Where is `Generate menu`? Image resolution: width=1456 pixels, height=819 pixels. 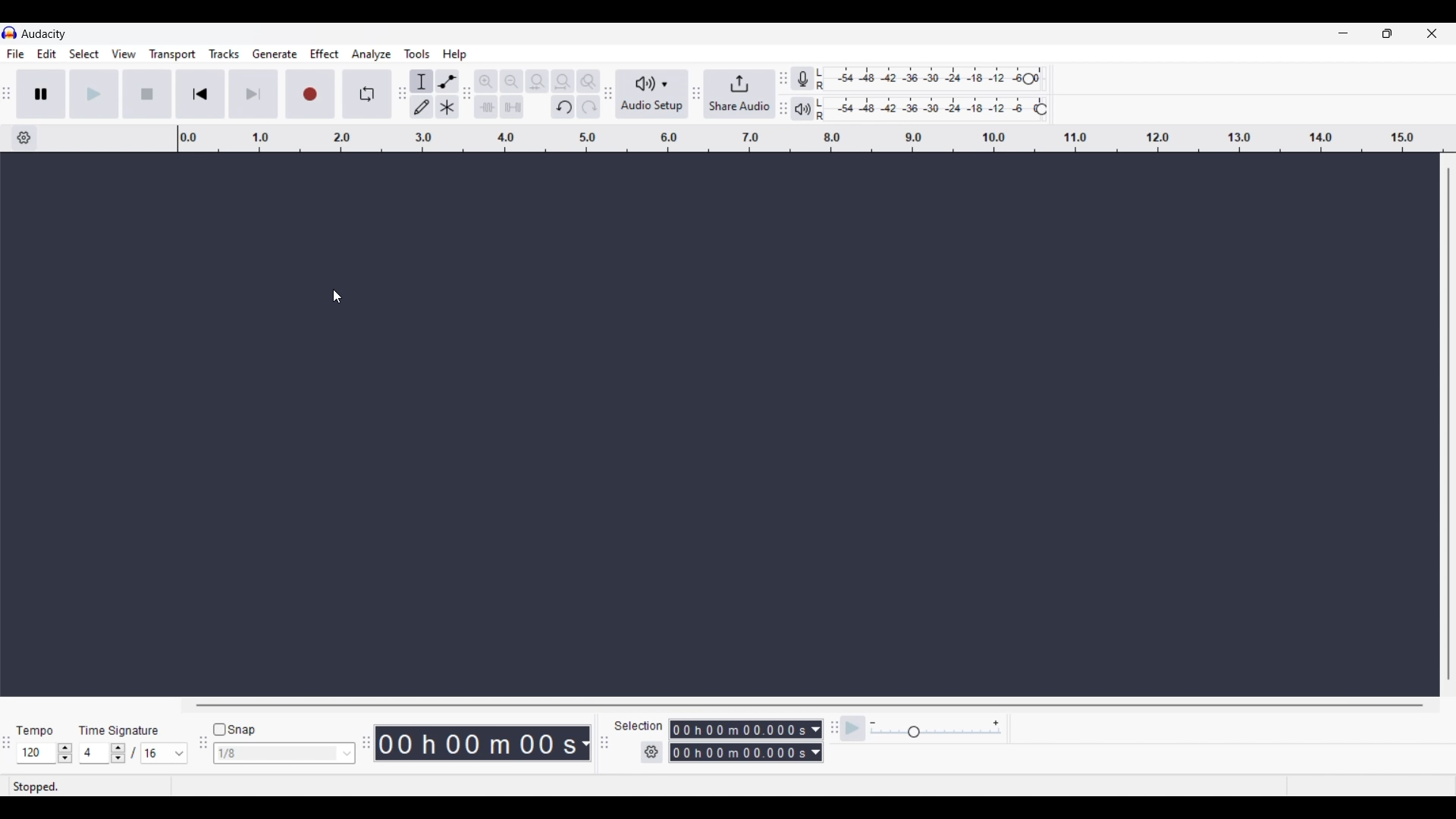
Generate menu is located at coordinates (275, 54).